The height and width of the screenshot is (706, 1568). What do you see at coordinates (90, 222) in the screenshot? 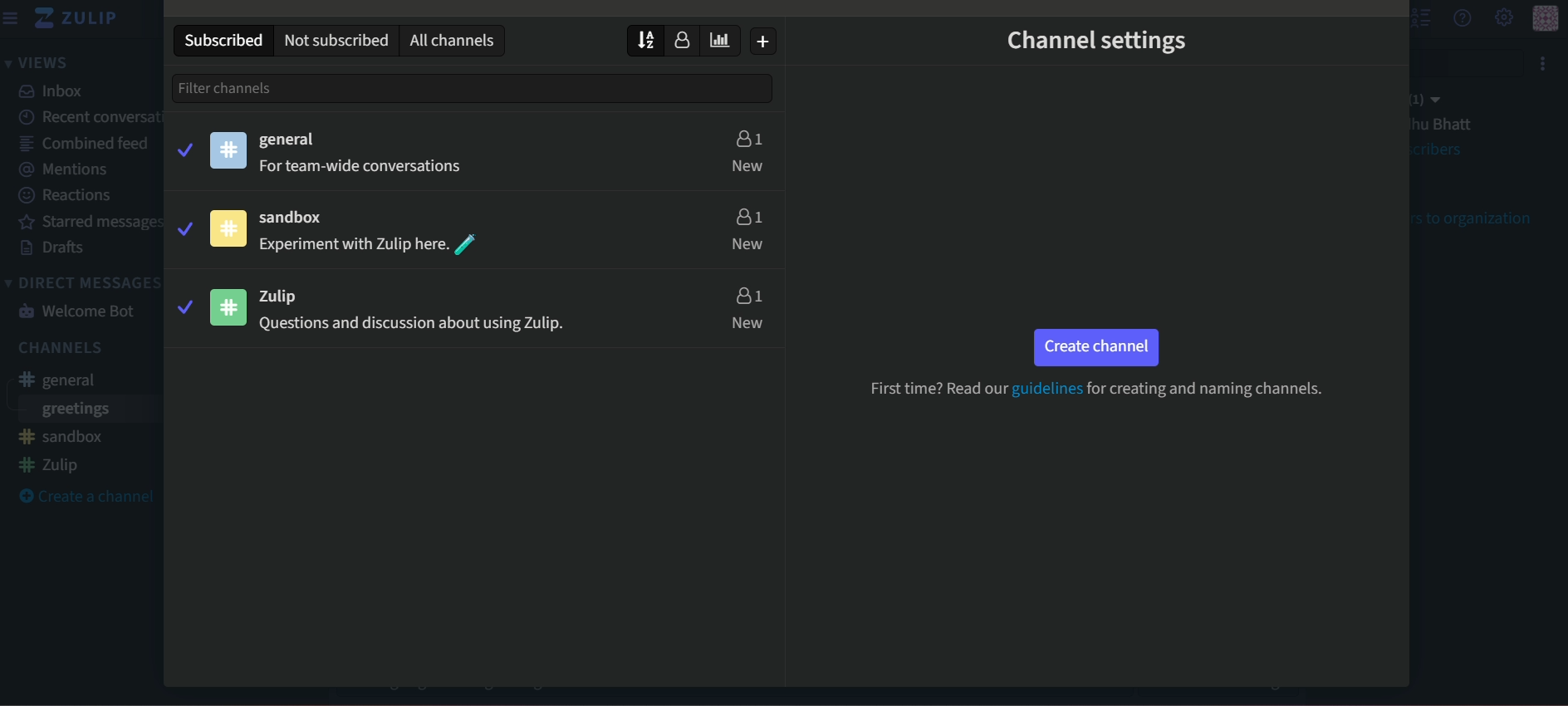
I see `starred messages` at bounding box center [90, 222].